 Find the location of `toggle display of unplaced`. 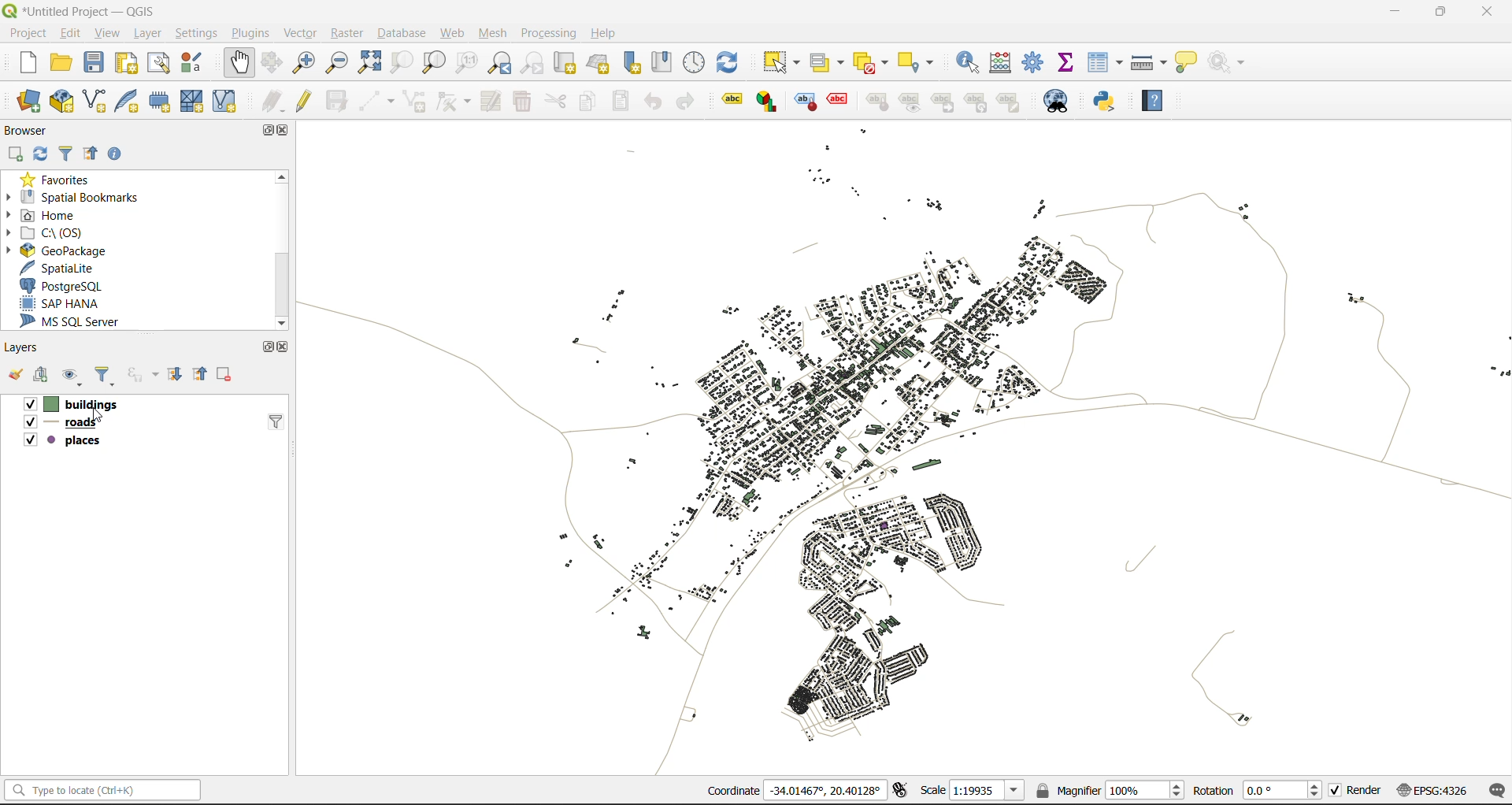

toggle display of unplaced is located at coordinates (839, 103).